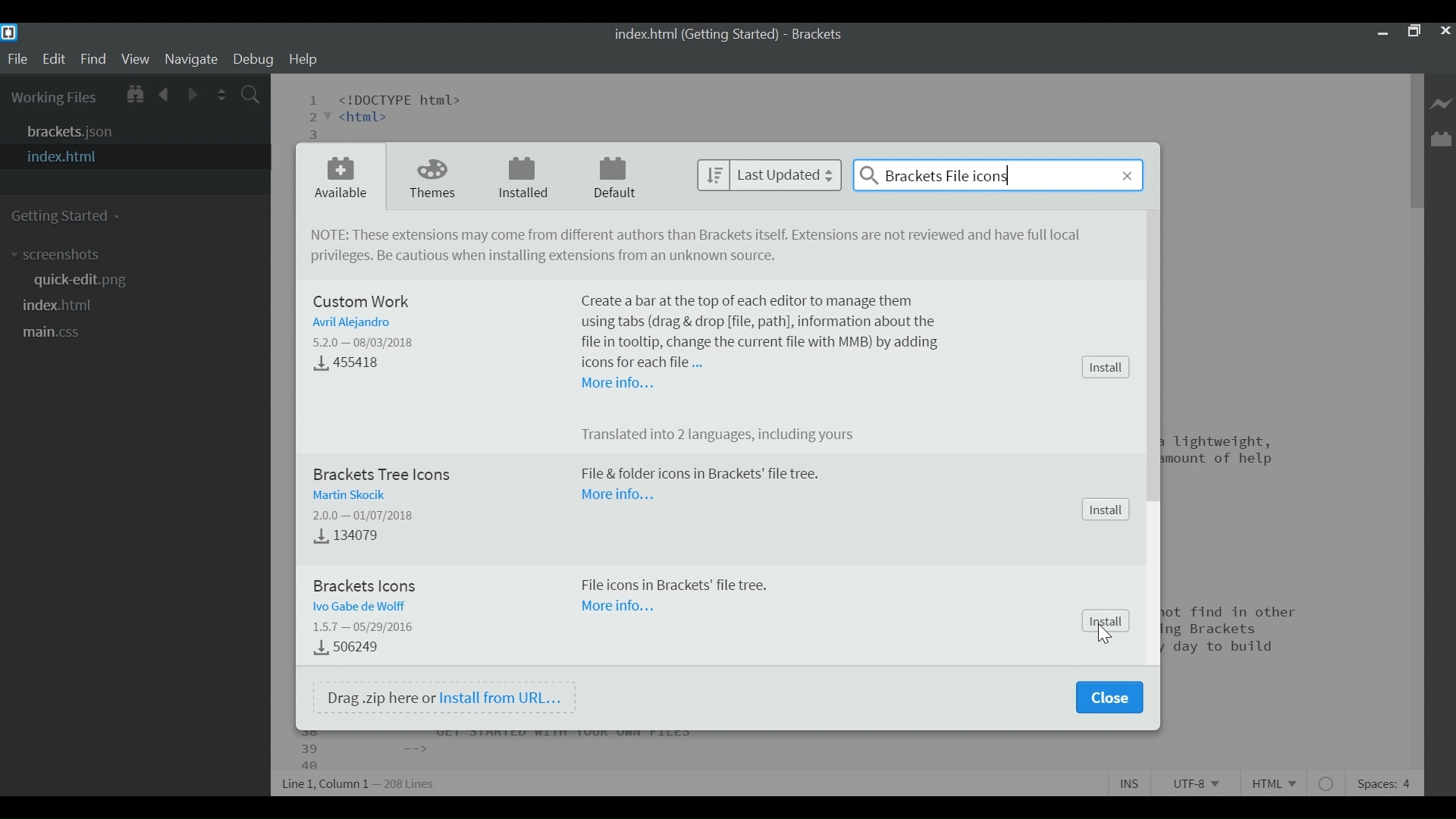 Image resolution: width=1456 pixels, height=819 pixels. Describe the element at coordinates (66, 306) in the screenshot. I see `index.html` at that location.